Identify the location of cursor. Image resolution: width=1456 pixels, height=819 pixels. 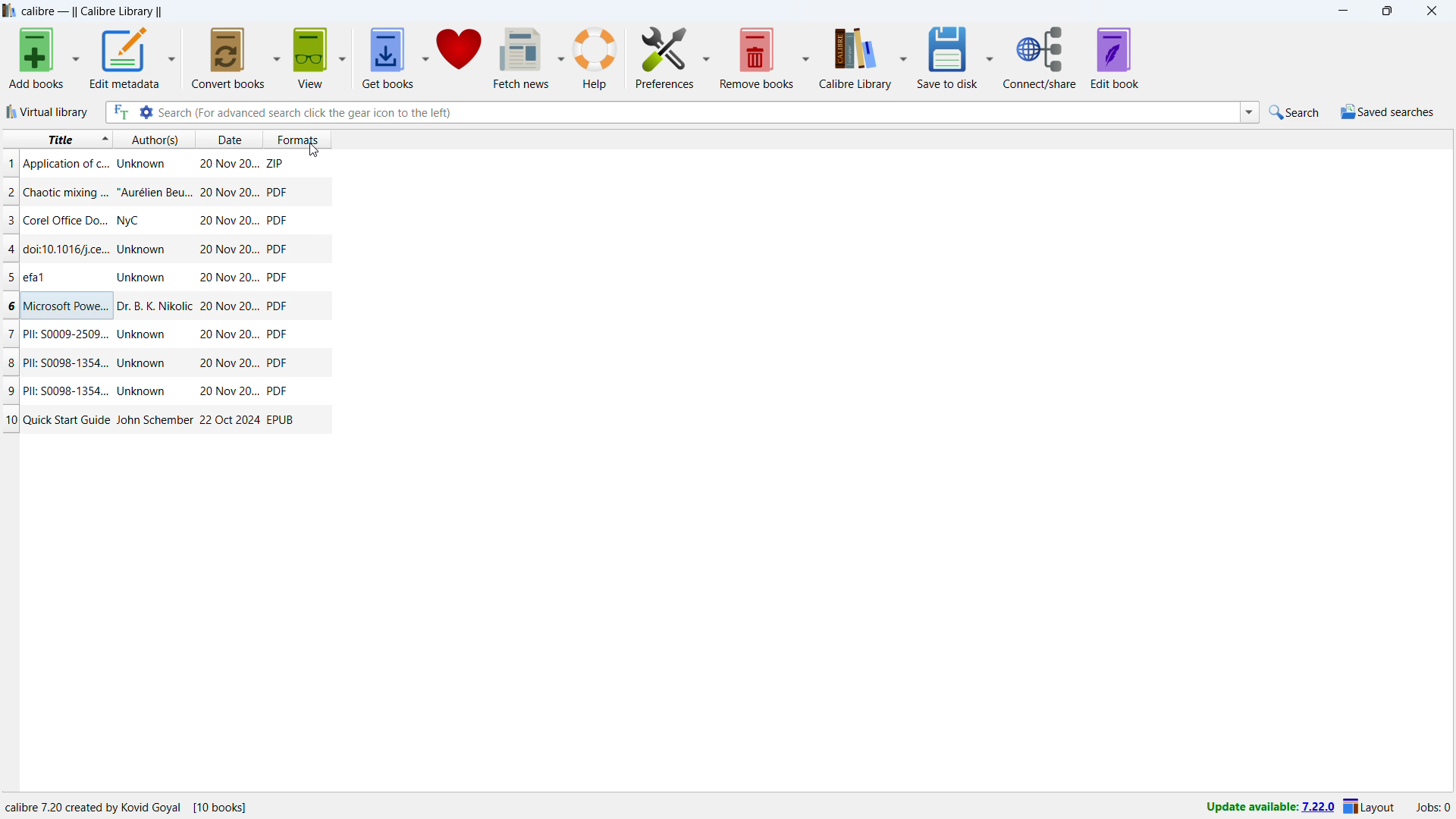
(313, 150).